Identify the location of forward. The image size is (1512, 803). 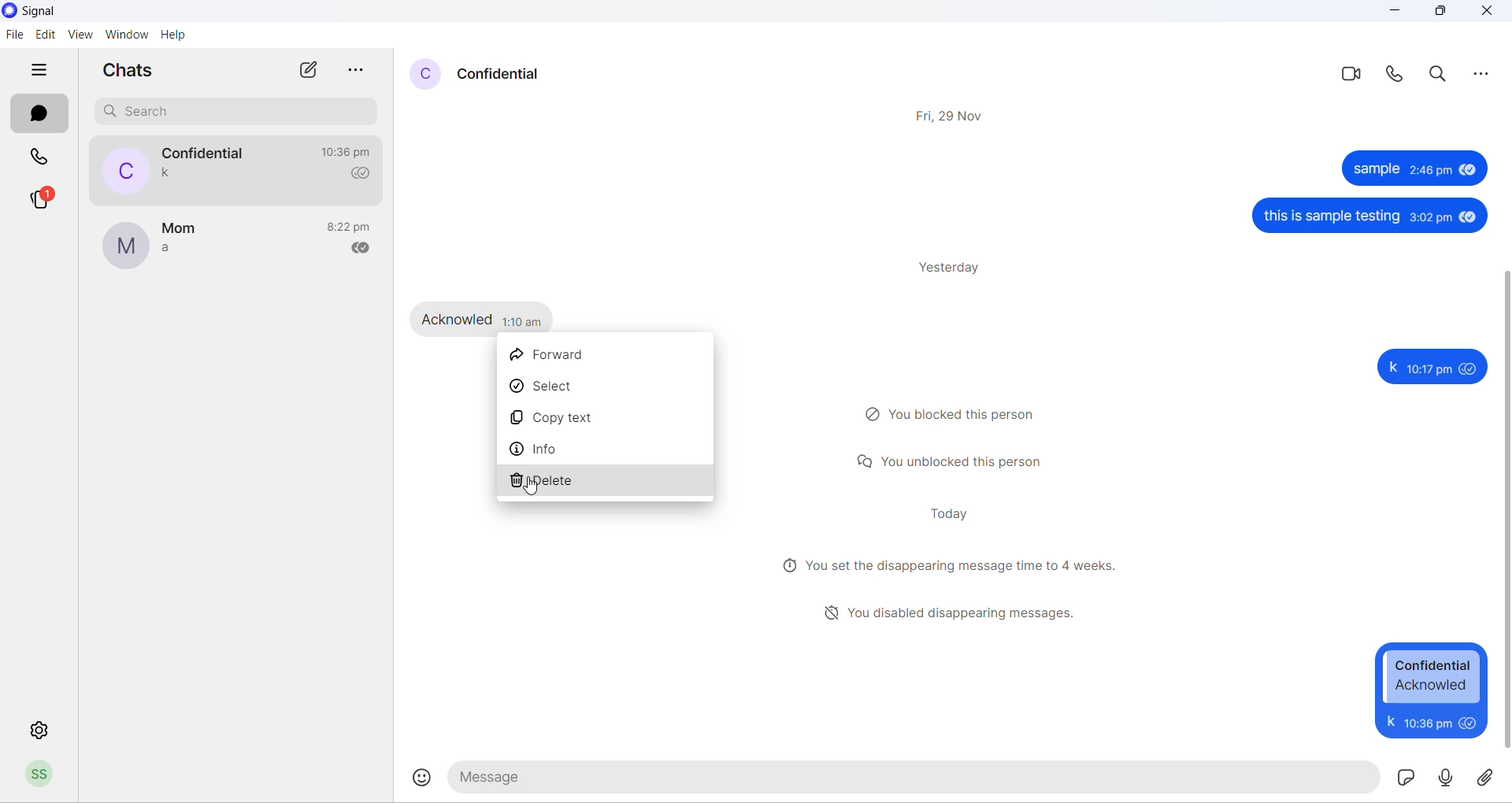
(607, 352).